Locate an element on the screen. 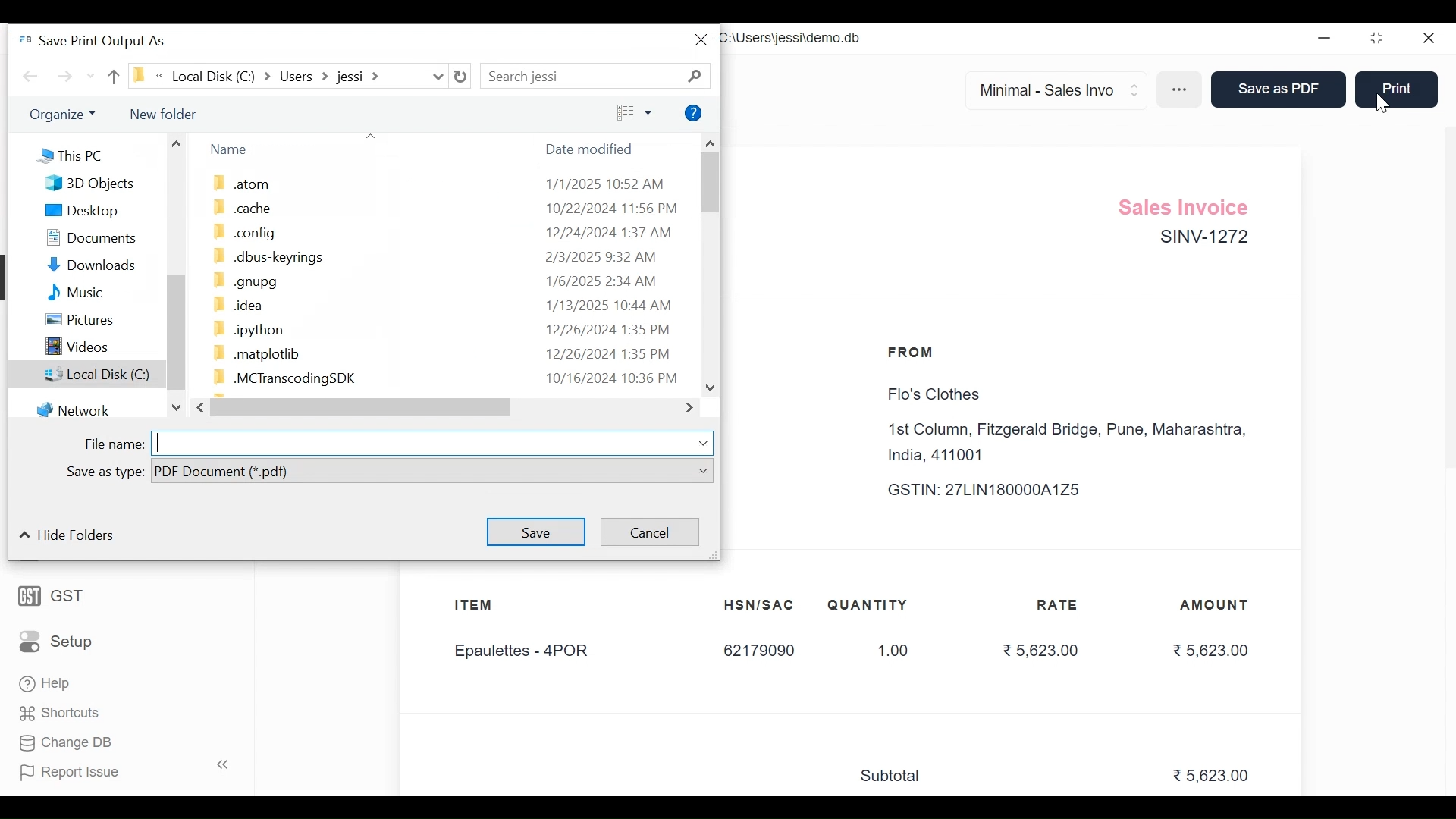 The height and width of the screenshot is (819, 1456). Refresh is located at coordinates (462, 77).